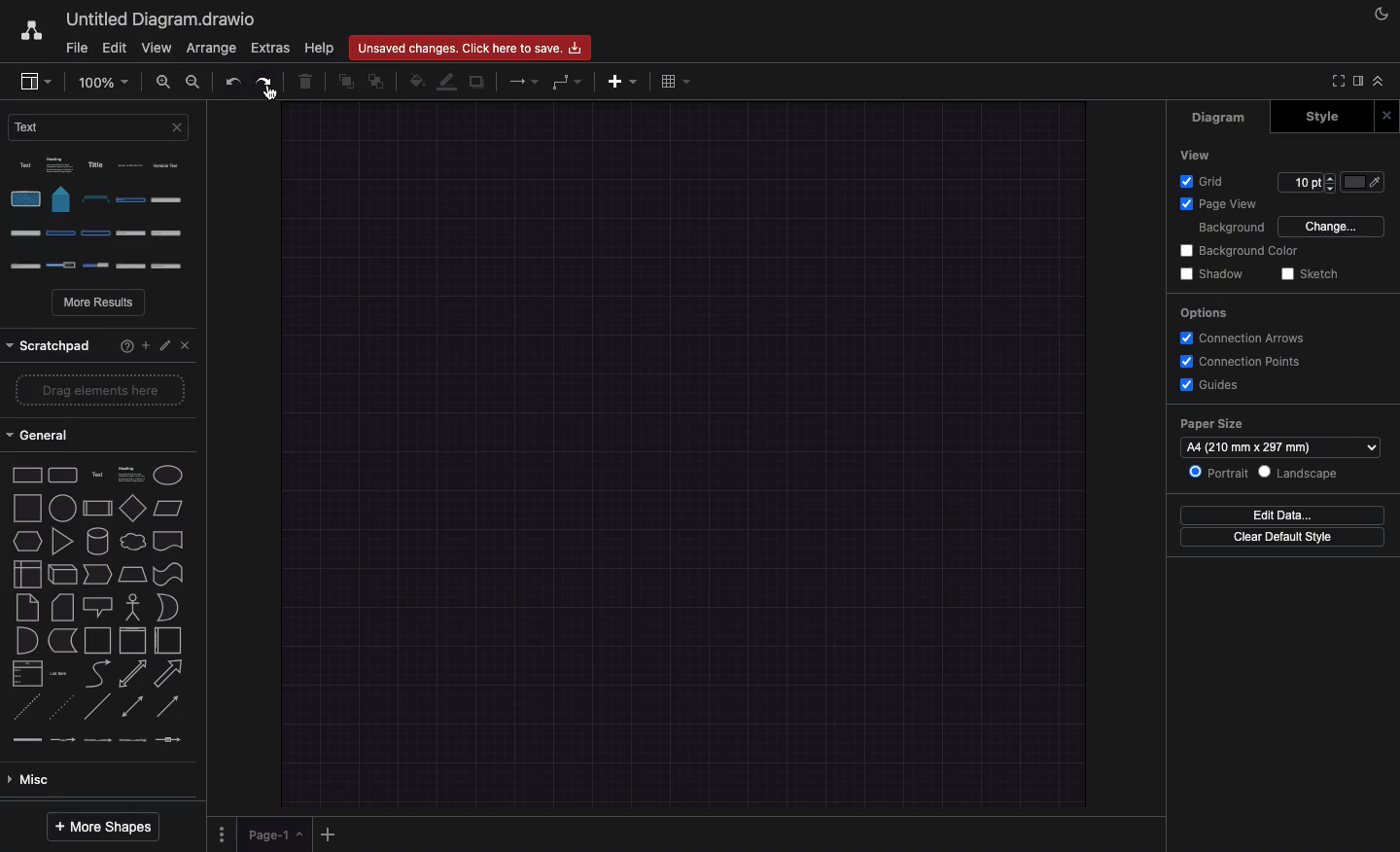 Image resolution: width=1400 pixels, height=852 pixels. Describe the element at coordinates (1201, 154) in the screenshot. I see `View` at that location.